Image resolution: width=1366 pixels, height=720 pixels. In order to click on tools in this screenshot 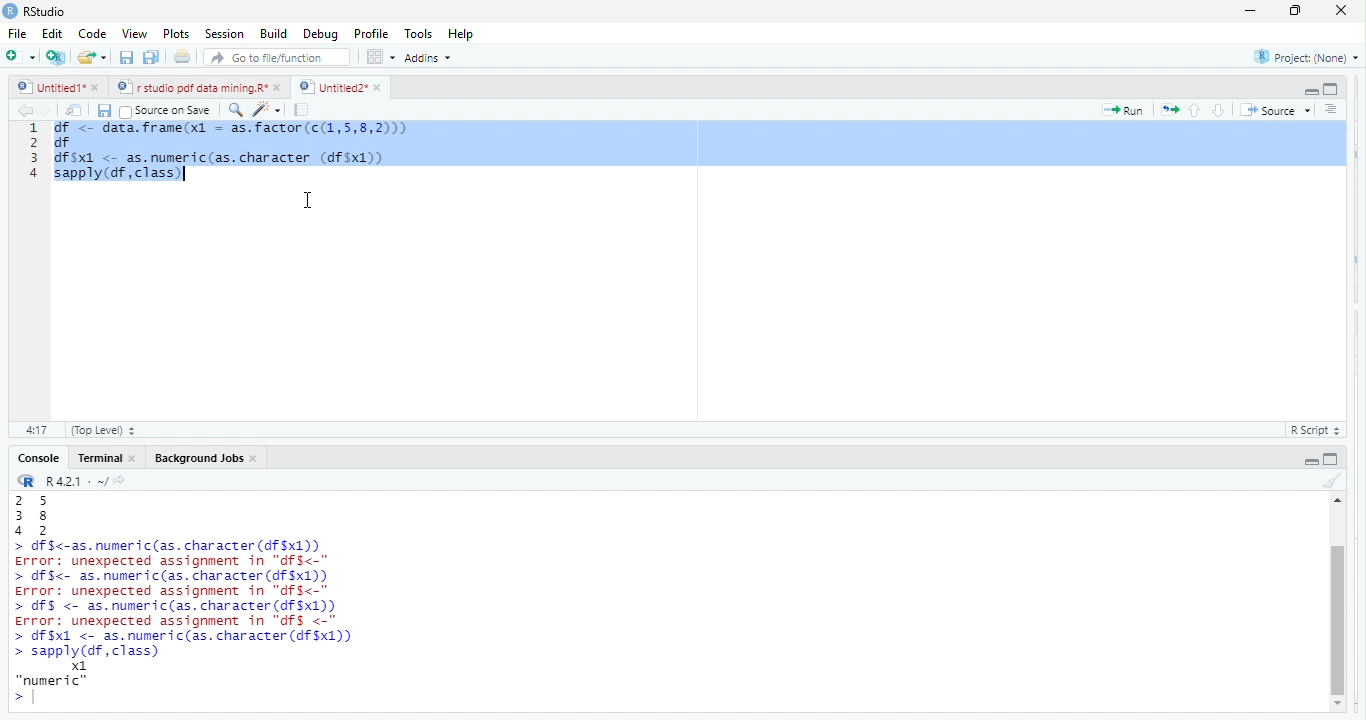, I will do `click(417, 32)`.